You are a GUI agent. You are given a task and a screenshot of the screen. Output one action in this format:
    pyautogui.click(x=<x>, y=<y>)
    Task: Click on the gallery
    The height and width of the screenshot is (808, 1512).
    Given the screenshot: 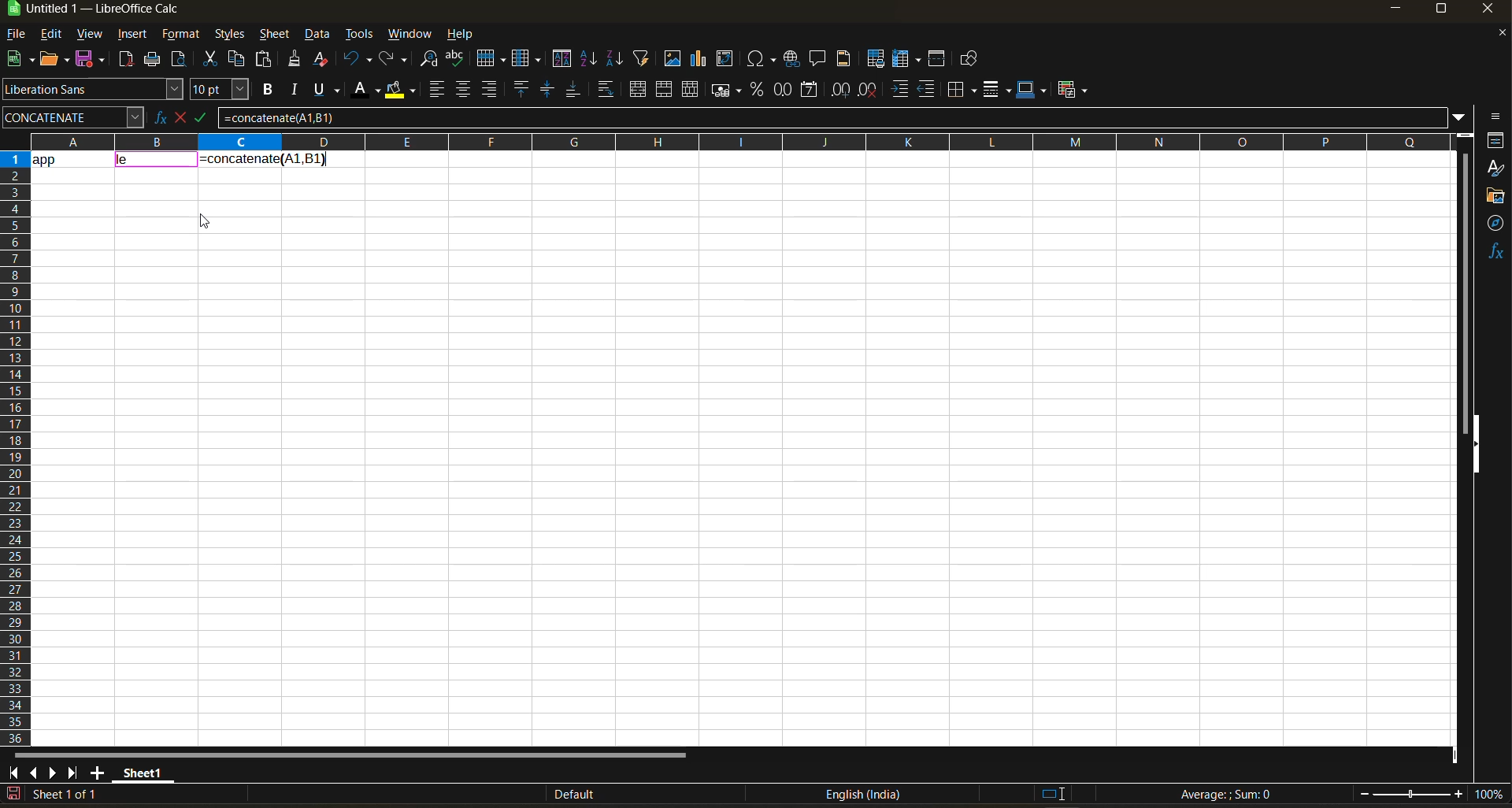 What is the action you would take?
    pyautogui.click(x=1496, y=198)
    